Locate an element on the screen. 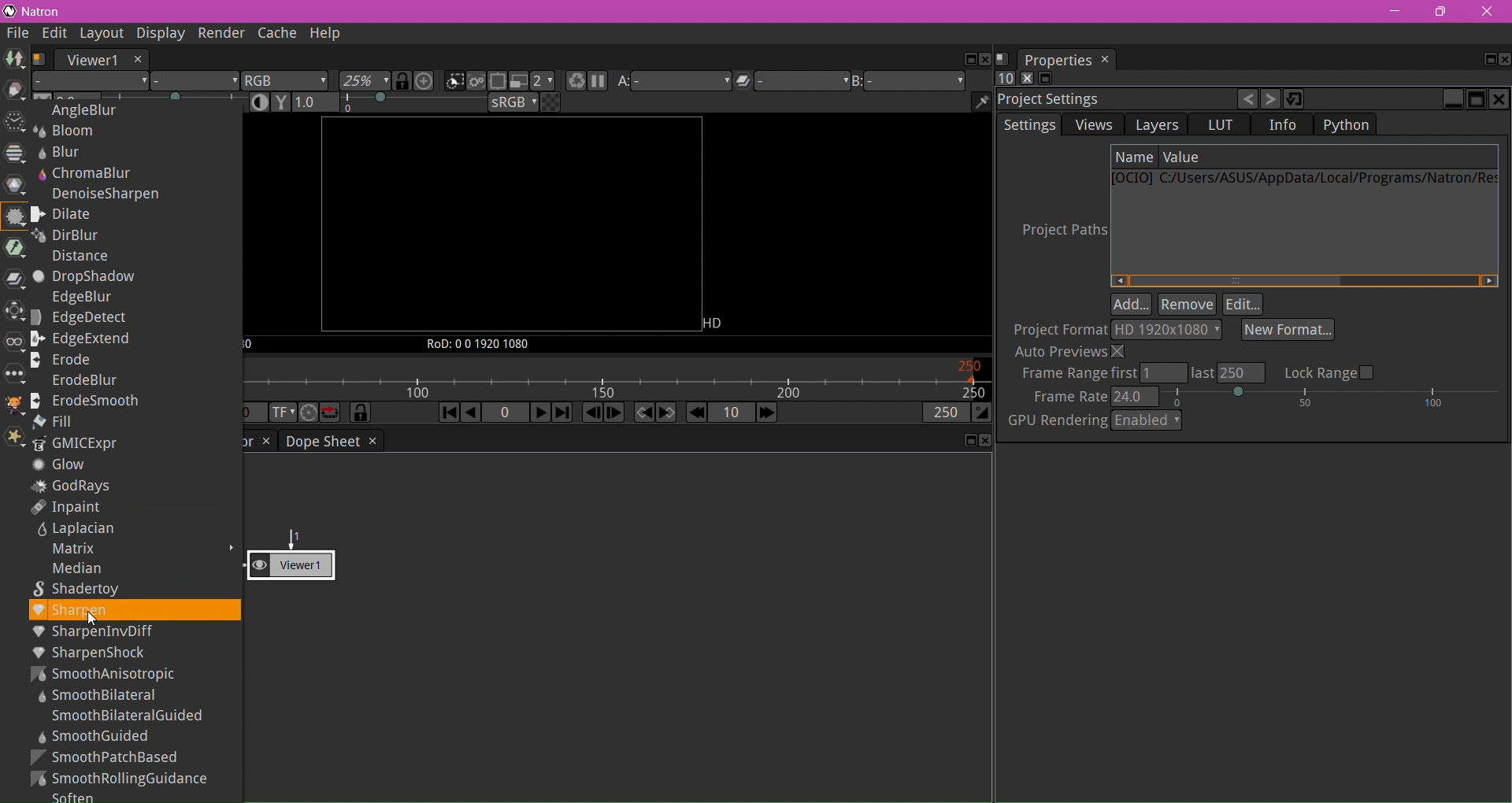 The width and height of the screenshot is (1512, 803). Minimize/Maximize all panels is located at coordinates (1044, 80).